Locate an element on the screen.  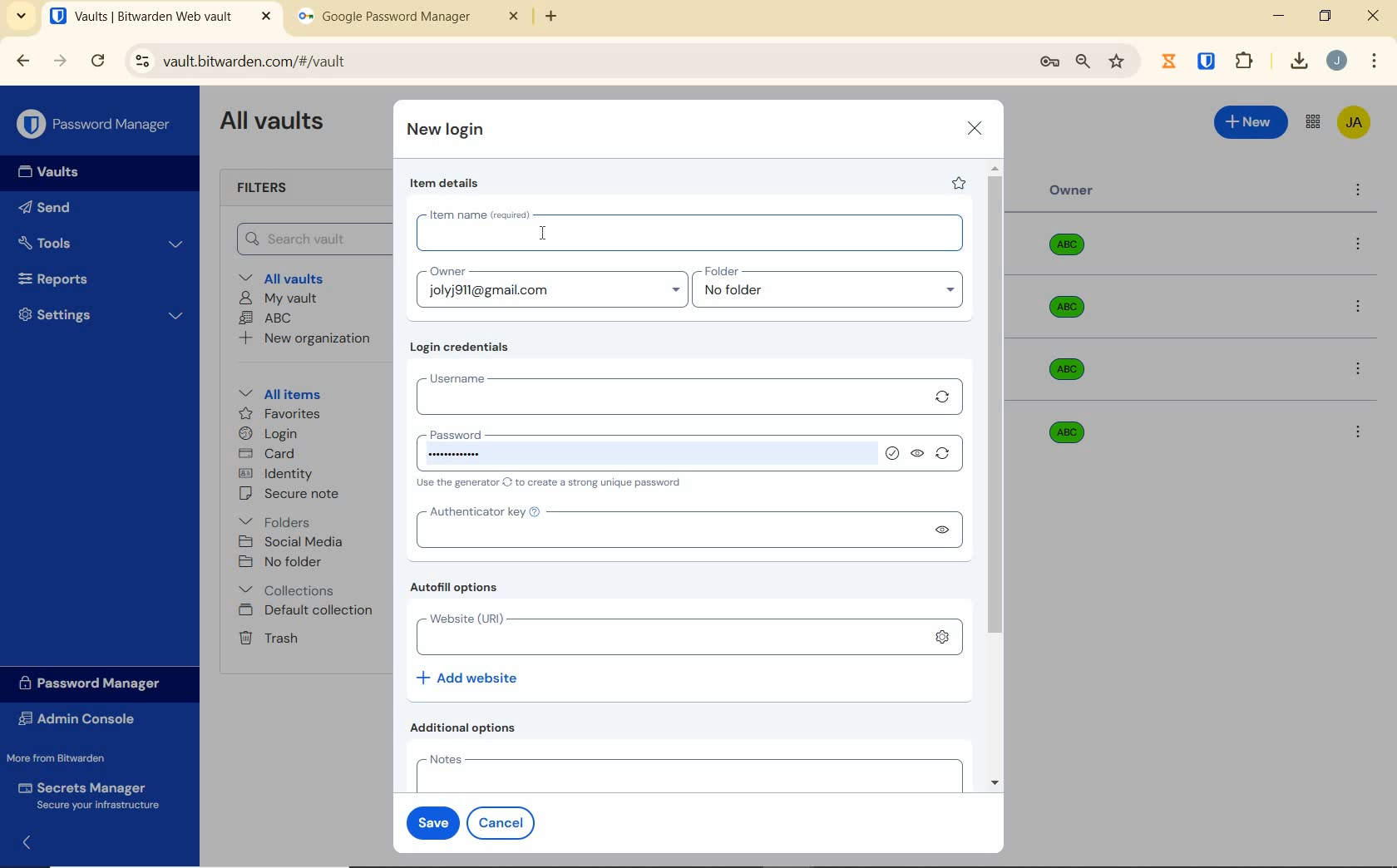
Owner organization is located at coordinates (1073, 251).